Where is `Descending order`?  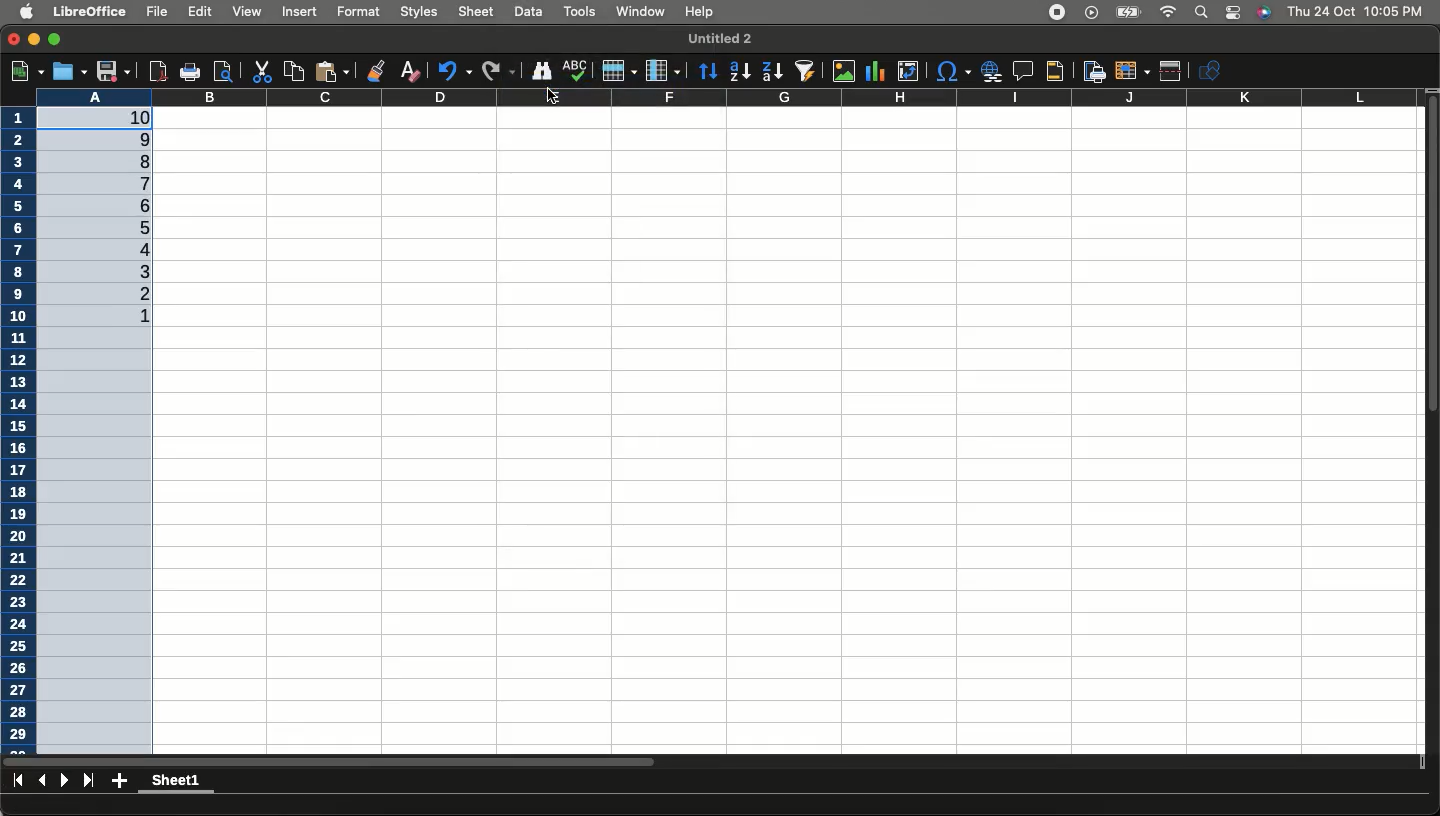
Descending order is located at coordinates (111, 425).